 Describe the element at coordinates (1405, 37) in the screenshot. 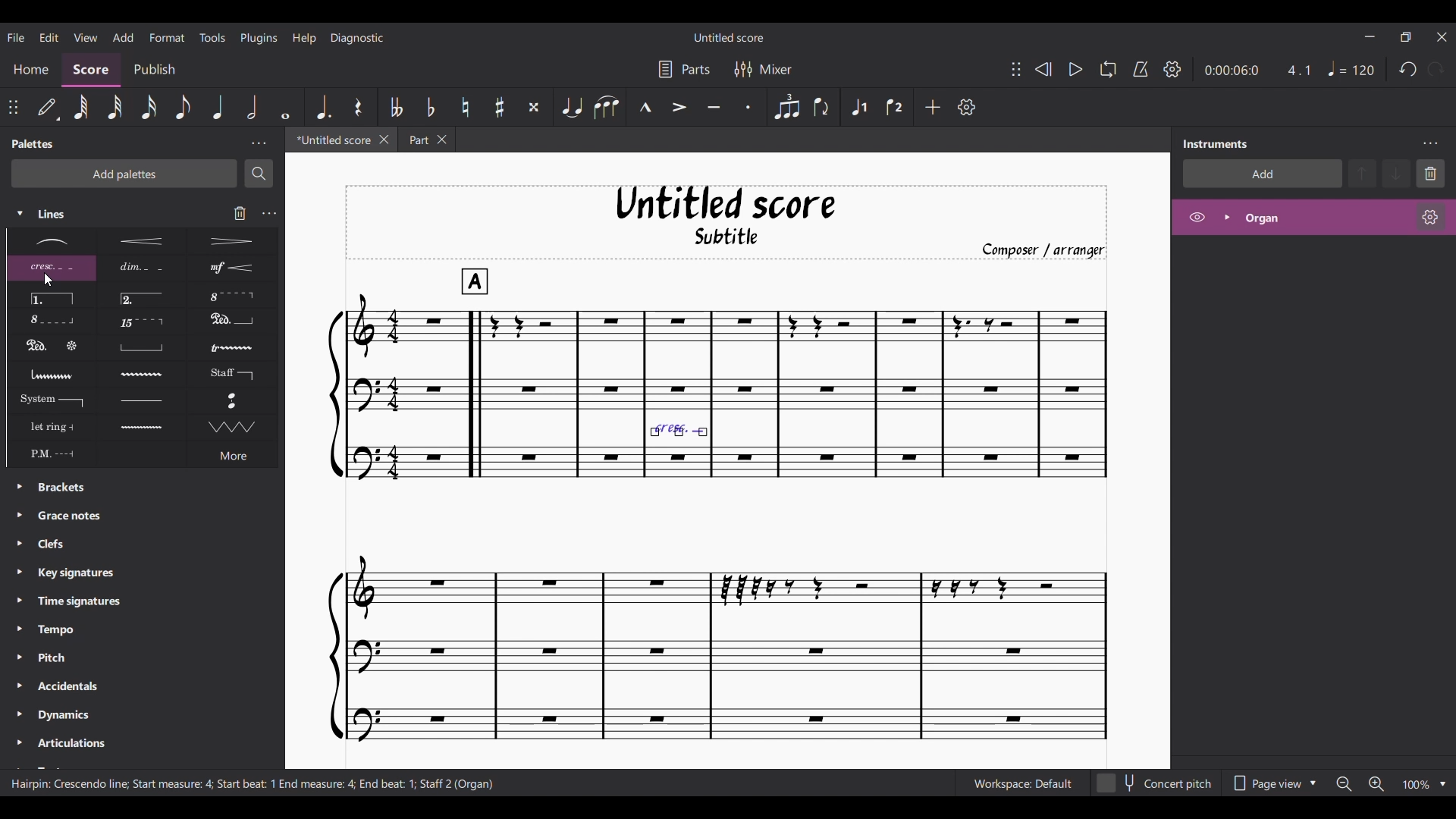

I see `Show interface in a smaller tab` at that location.